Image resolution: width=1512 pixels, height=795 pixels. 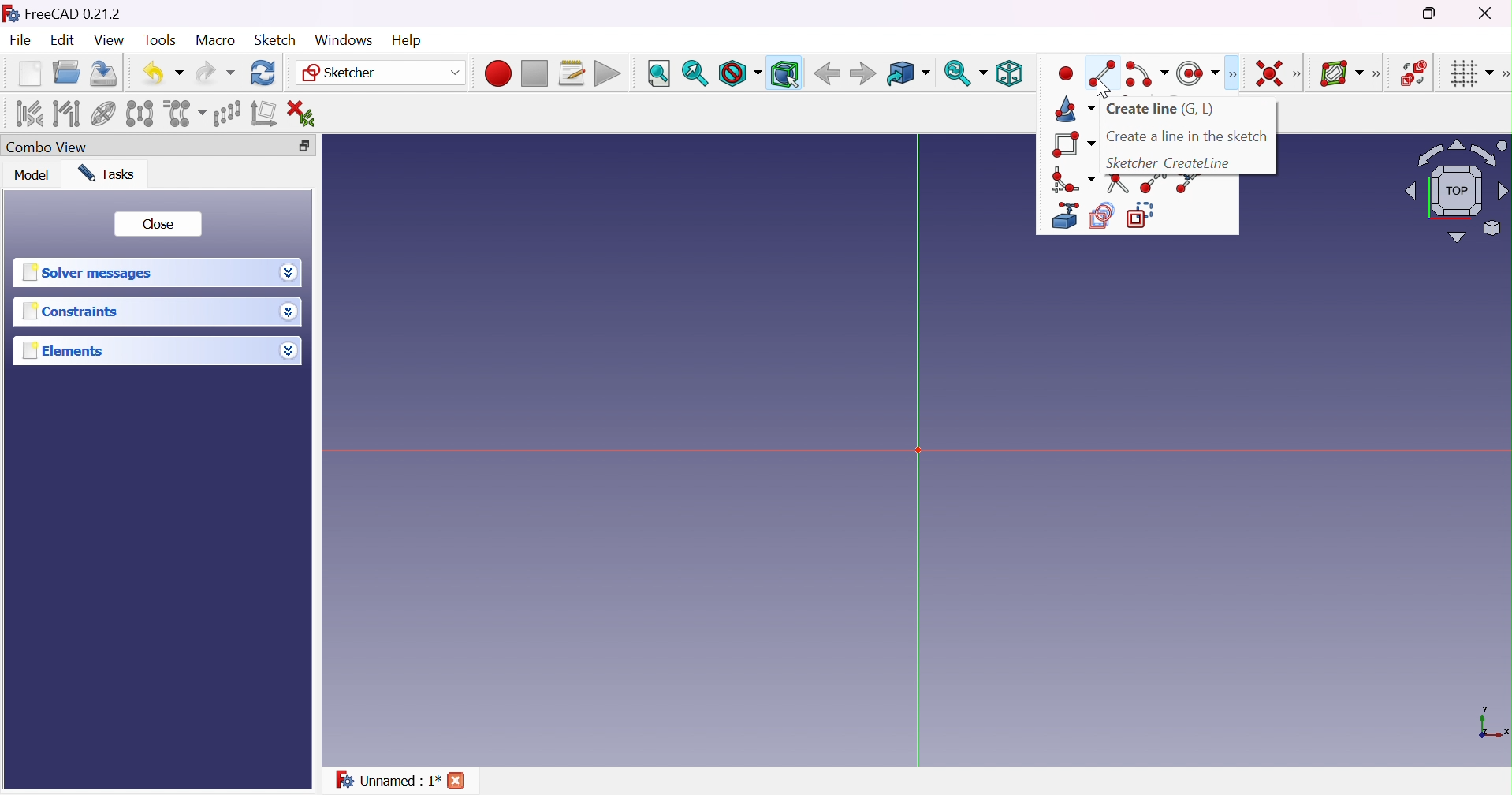 What do you see at coordinates (1343, 73) in the screenshot?
I see `Show/hide B-spline information layer` at bounding box center [1343, 73].